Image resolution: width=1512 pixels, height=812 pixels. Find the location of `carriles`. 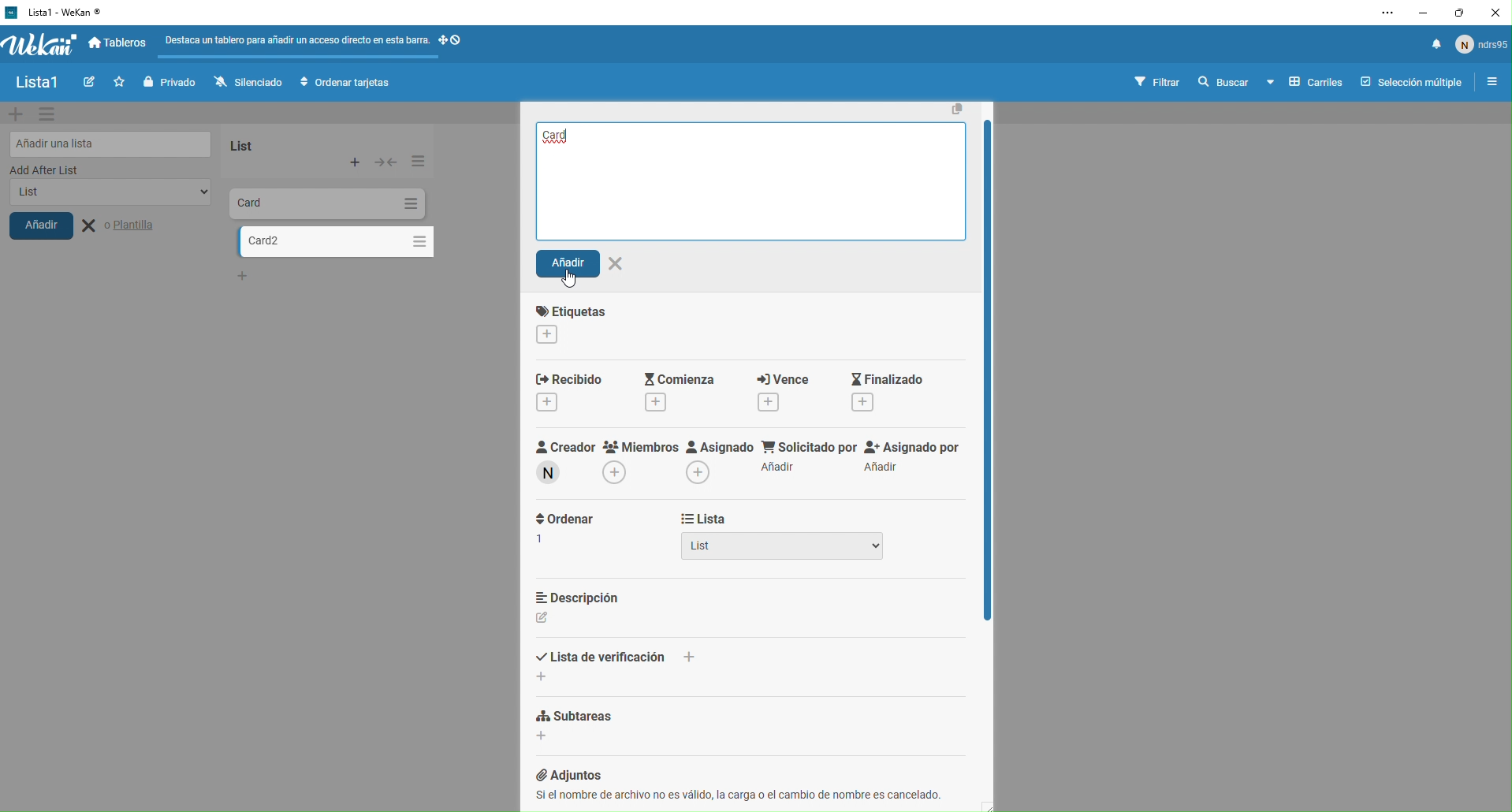

carriles is located at coordinates (1305, 83).